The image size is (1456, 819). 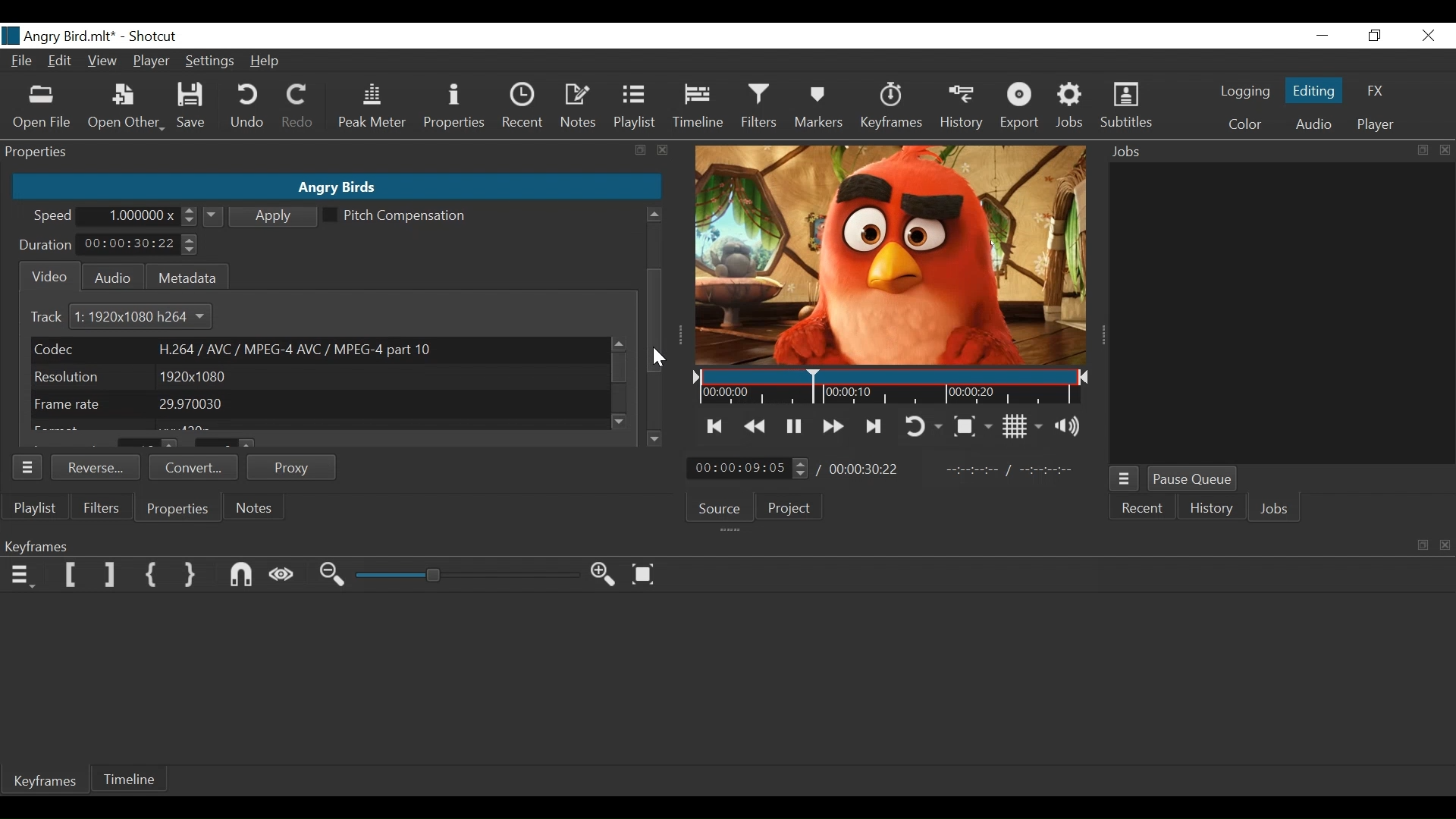 I want to click on Scroll up, so click(x=654, y=215).